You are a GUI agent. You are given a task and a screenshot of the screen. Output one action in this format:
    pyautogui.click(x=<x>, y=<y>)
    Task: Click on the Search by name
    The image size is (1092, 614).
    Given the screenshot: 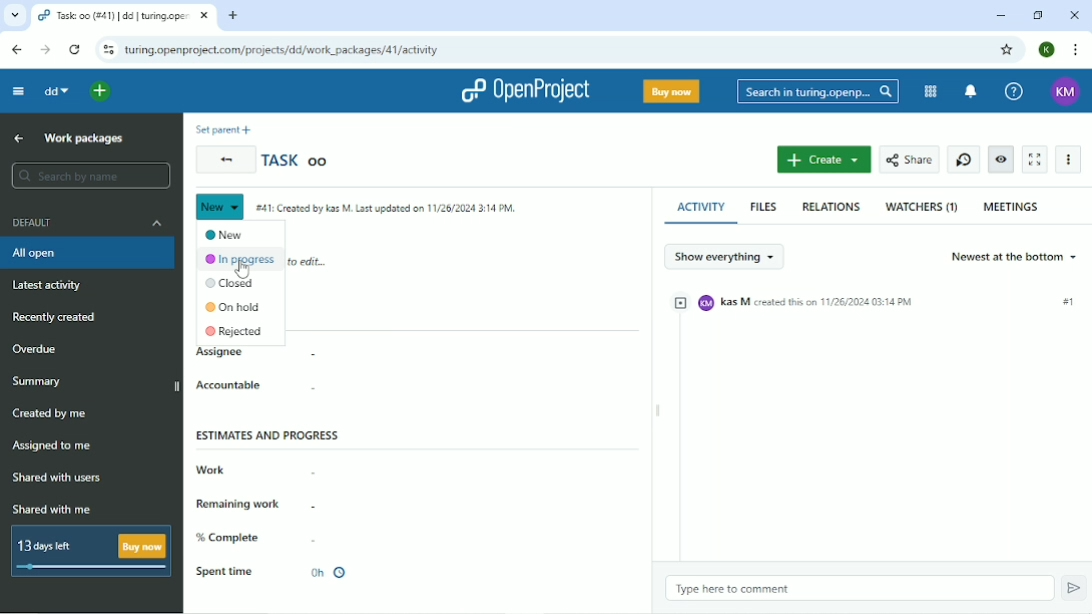 What is the action you would take?
    pyautogui.click(x=91, y=175)
    